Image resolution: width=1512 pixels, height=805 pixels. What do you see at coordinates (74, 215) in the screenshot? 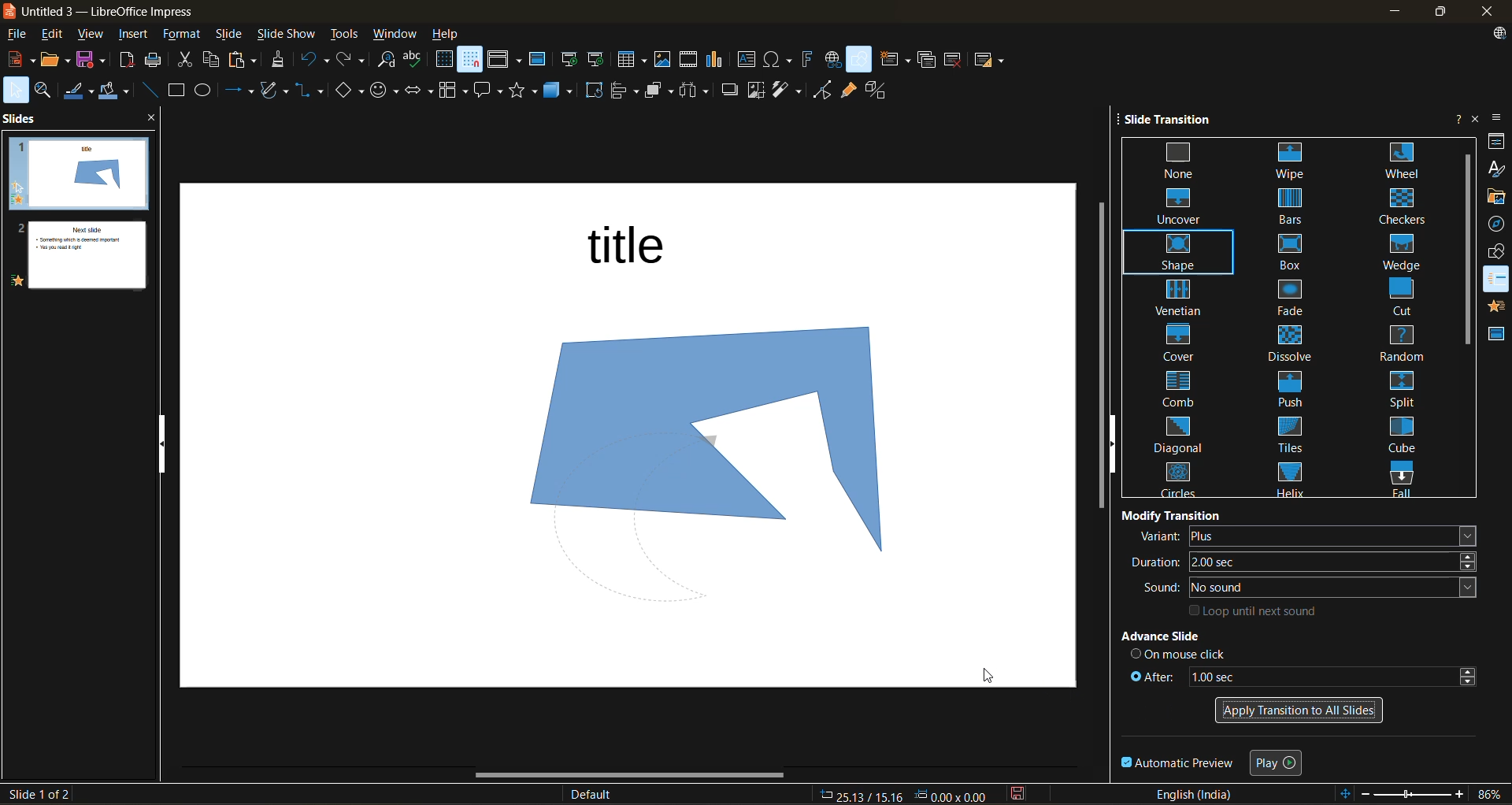
I see `slides` at bounding box center [74, 215].